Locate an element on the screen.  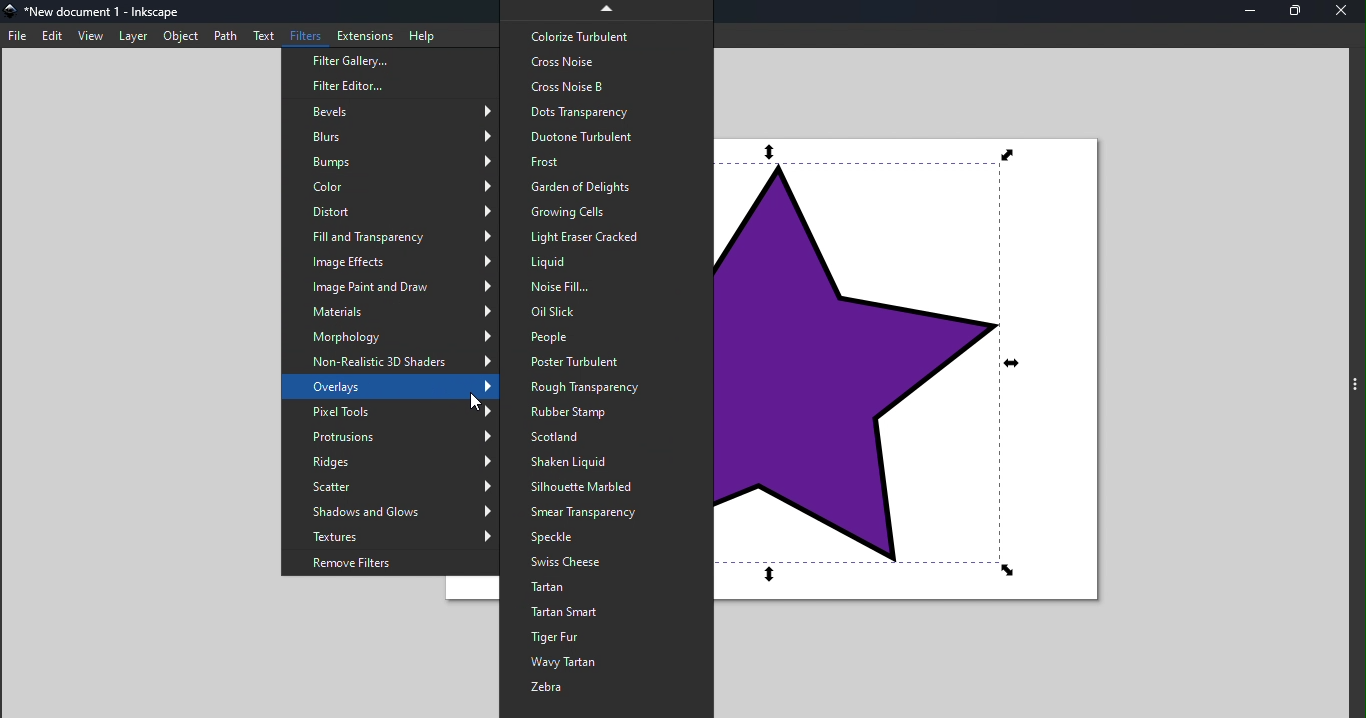
Object is located at coordinates (181, 37).